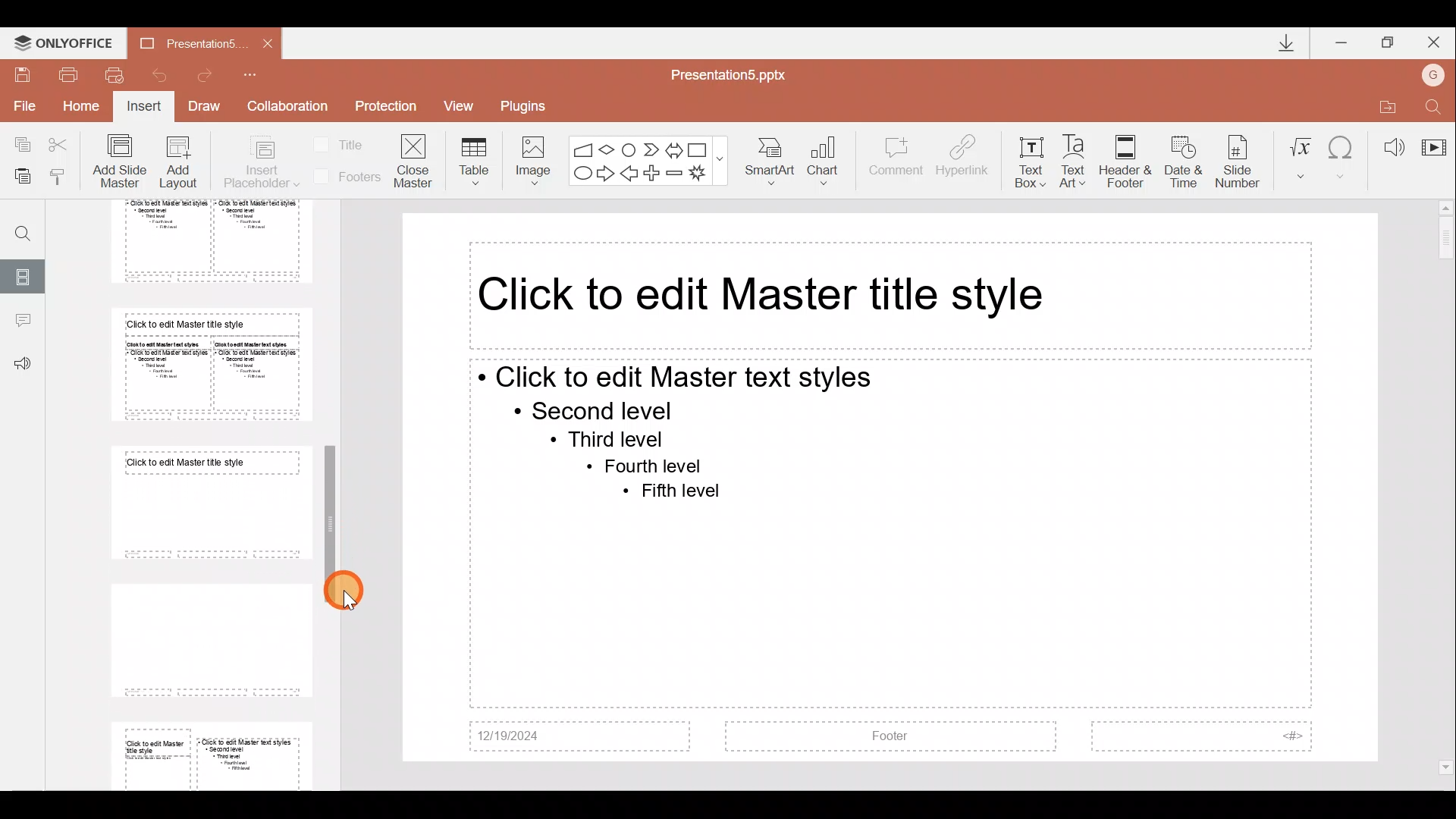 The height and width of the screenshot is (819, 1456). What do you see at coordinates (529, 158) in the screenshot?
I see `Image` at bounding box center [529, 158].